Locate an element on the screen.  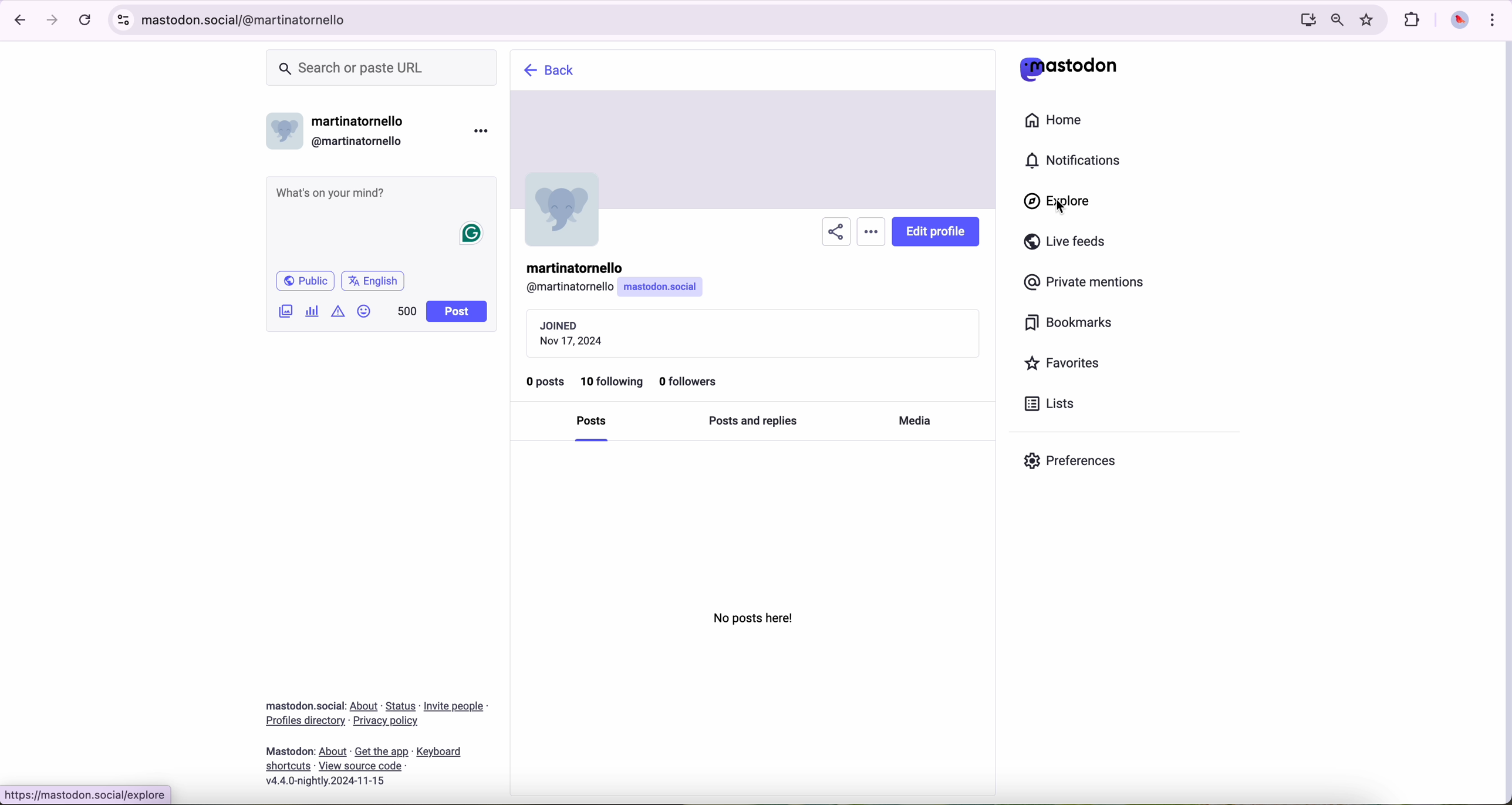
explore is located at coordinates (551, 70).